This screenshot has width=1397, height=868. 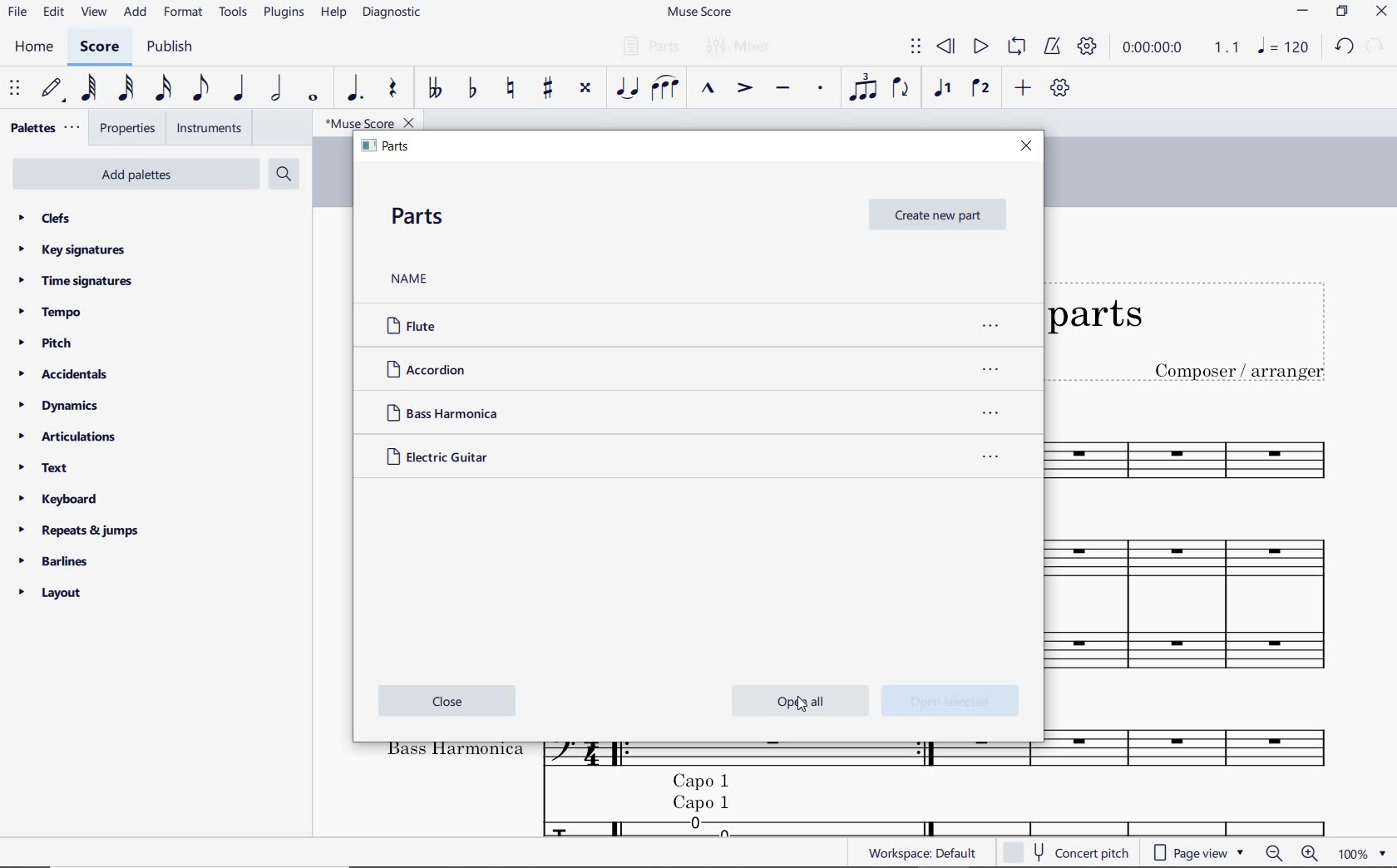 I want to click on file name, so click(x=700, y=12).